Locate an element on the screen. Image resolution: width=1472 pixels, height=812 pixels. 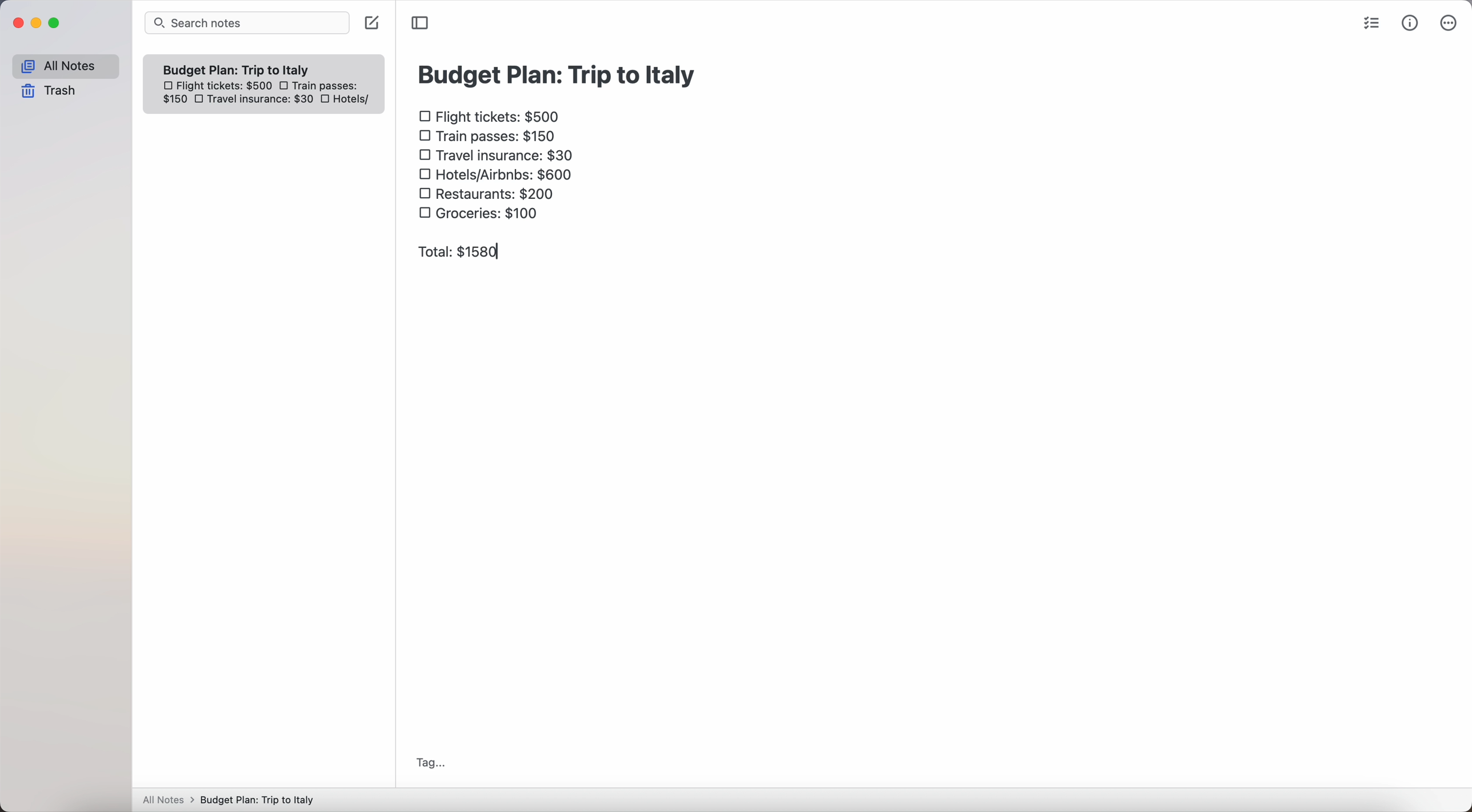
travel insurance: $30 checkbox is located at coordinates (498, 155).